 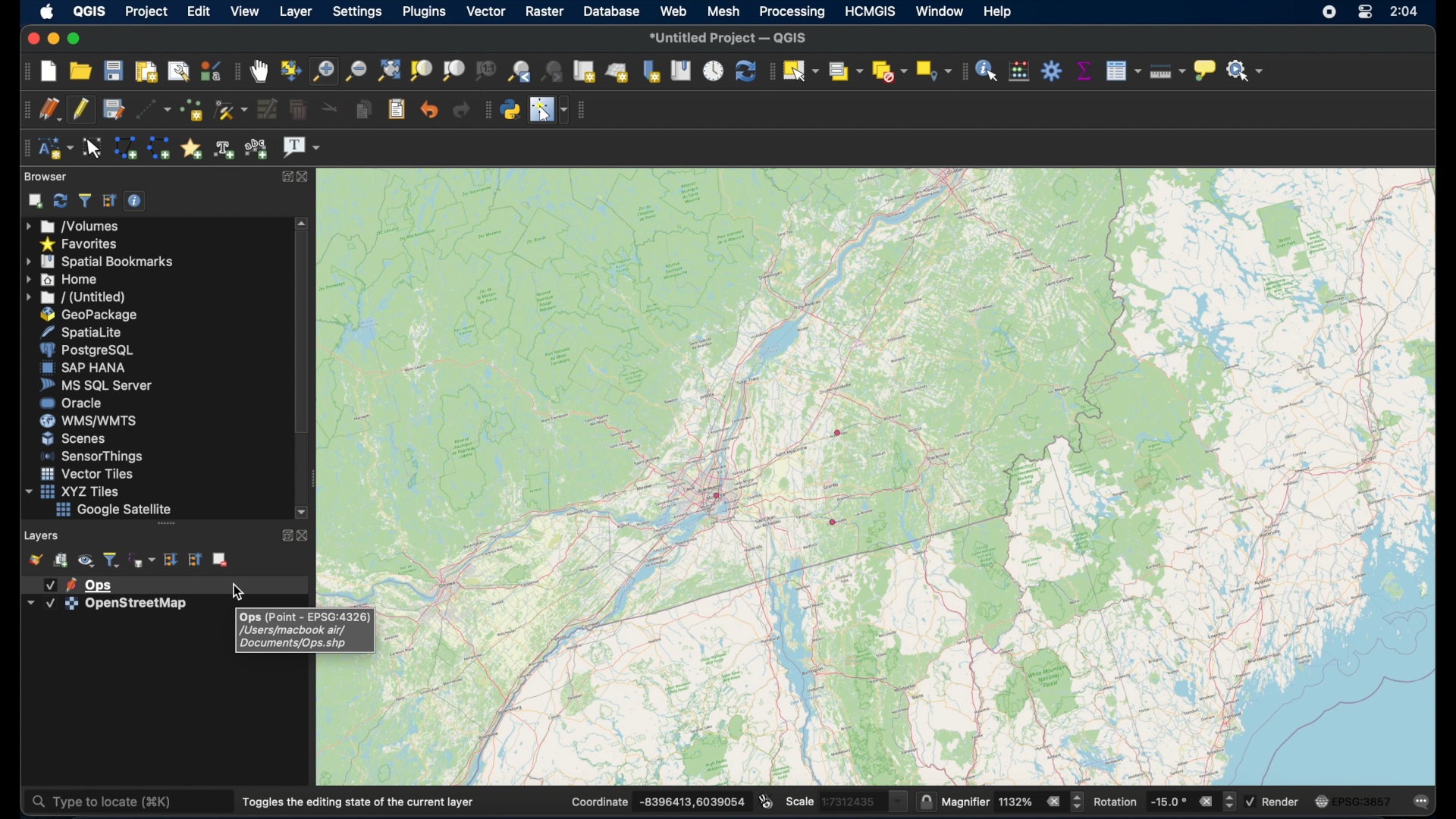 I want to click on point feature, so click(x=833, y=522).